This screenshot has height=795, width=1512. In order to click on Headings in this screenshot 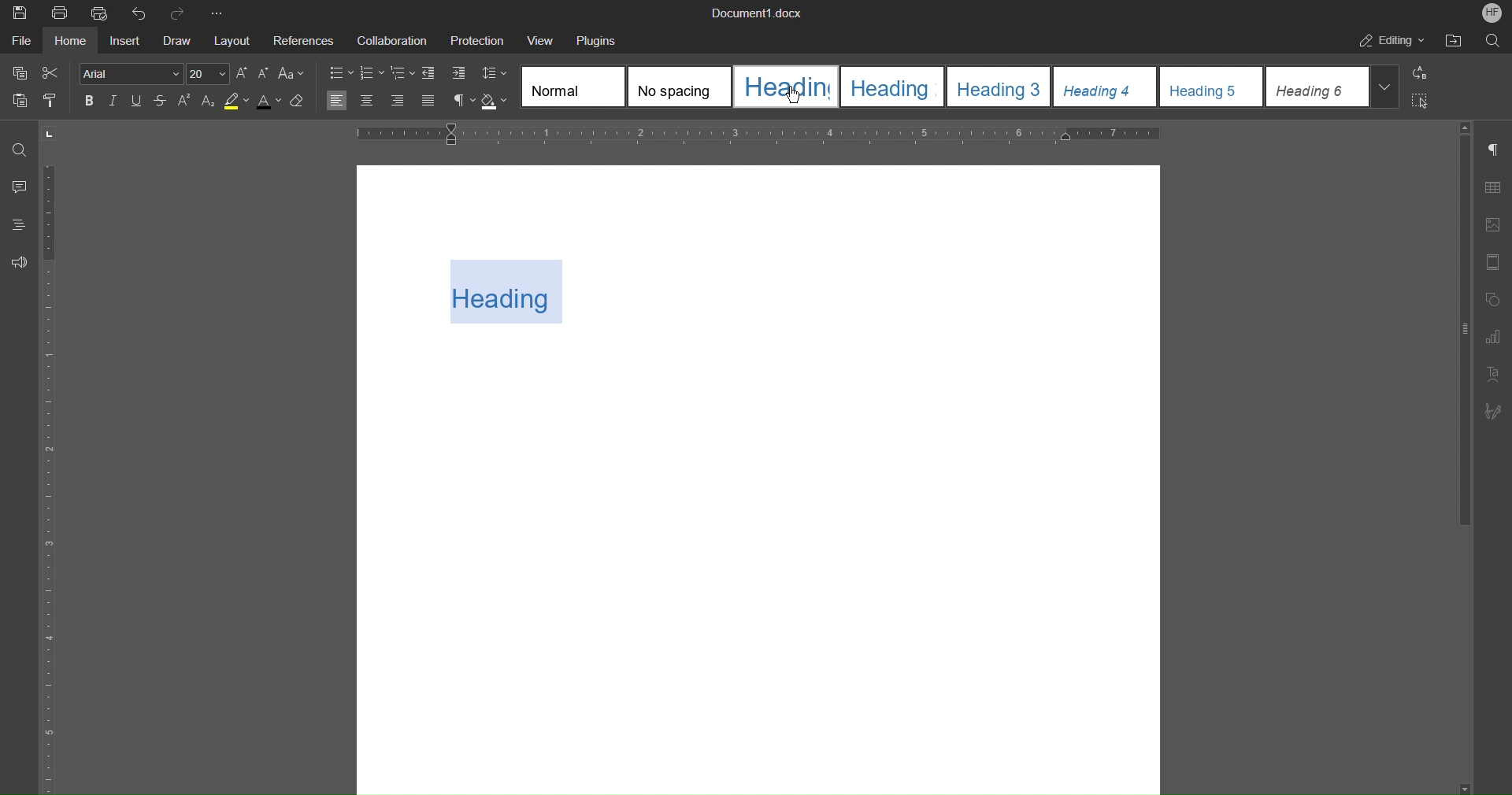, I will do `click(18, 223)`.